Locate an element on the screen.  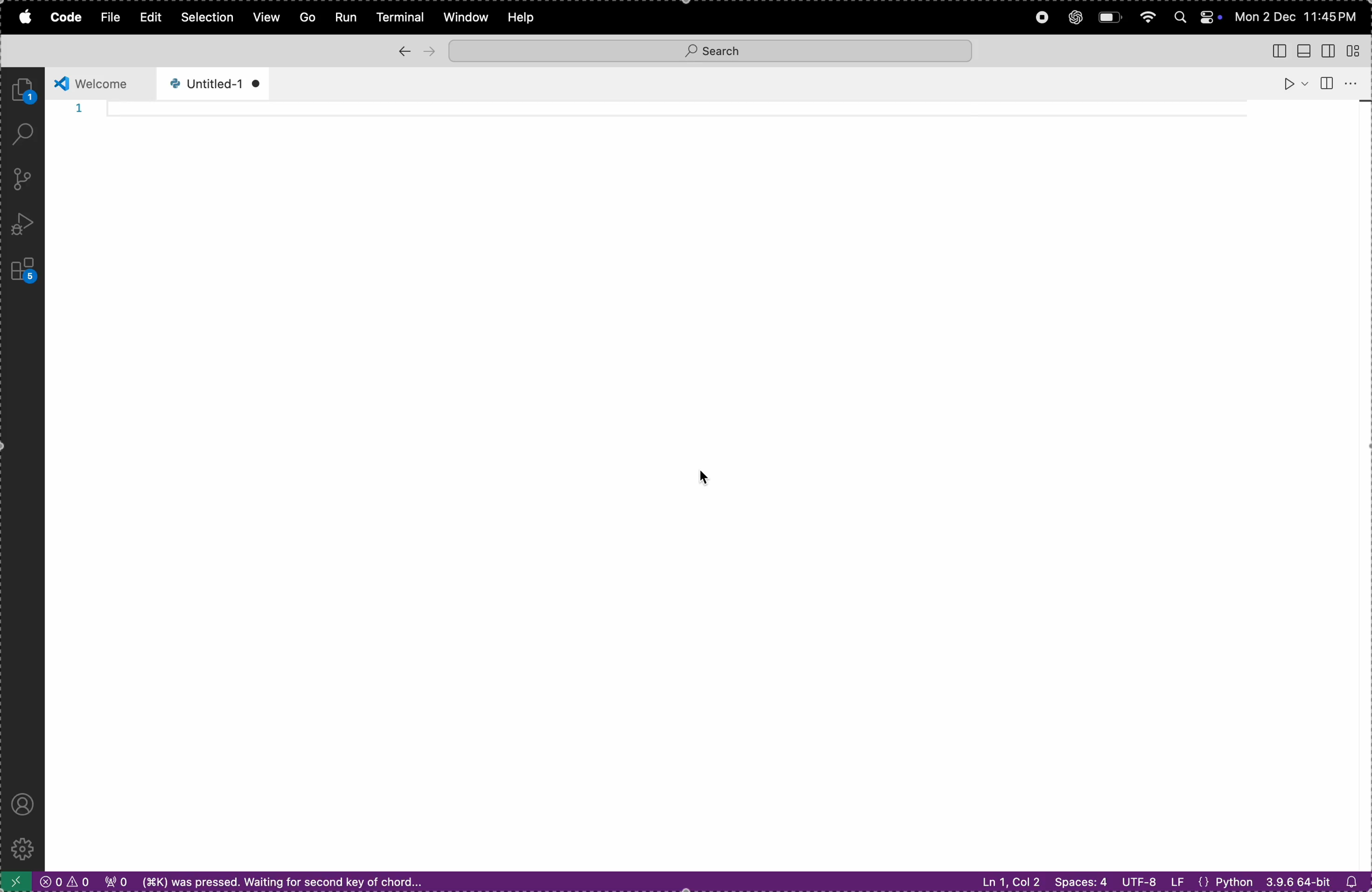
no ports forwarded is located at coordinates (115, 882).